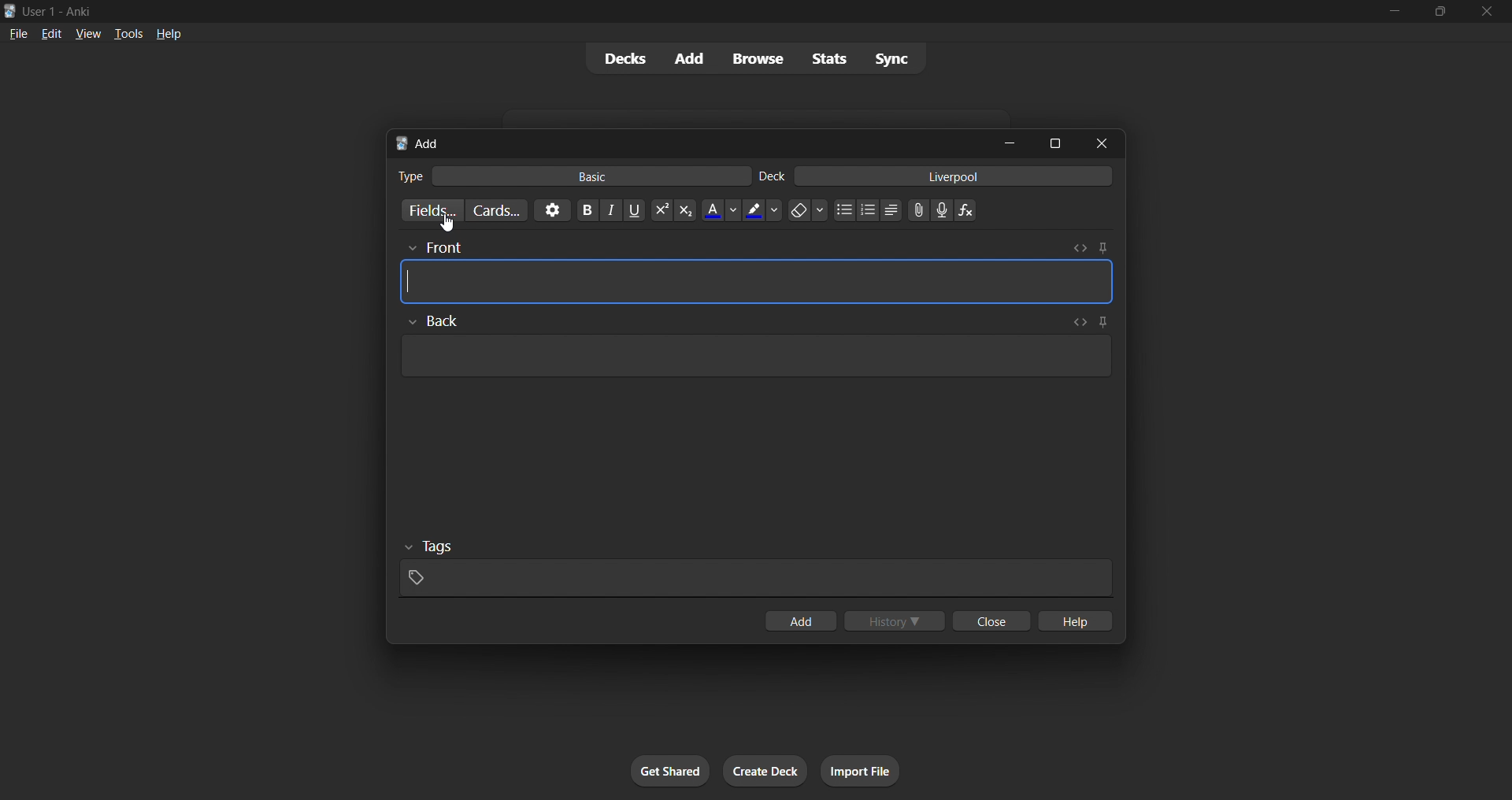 This screenshot has width=1512, height=800. Describe the element at coordinates (891, 57) in the screenshot. I see `sync` at that location.